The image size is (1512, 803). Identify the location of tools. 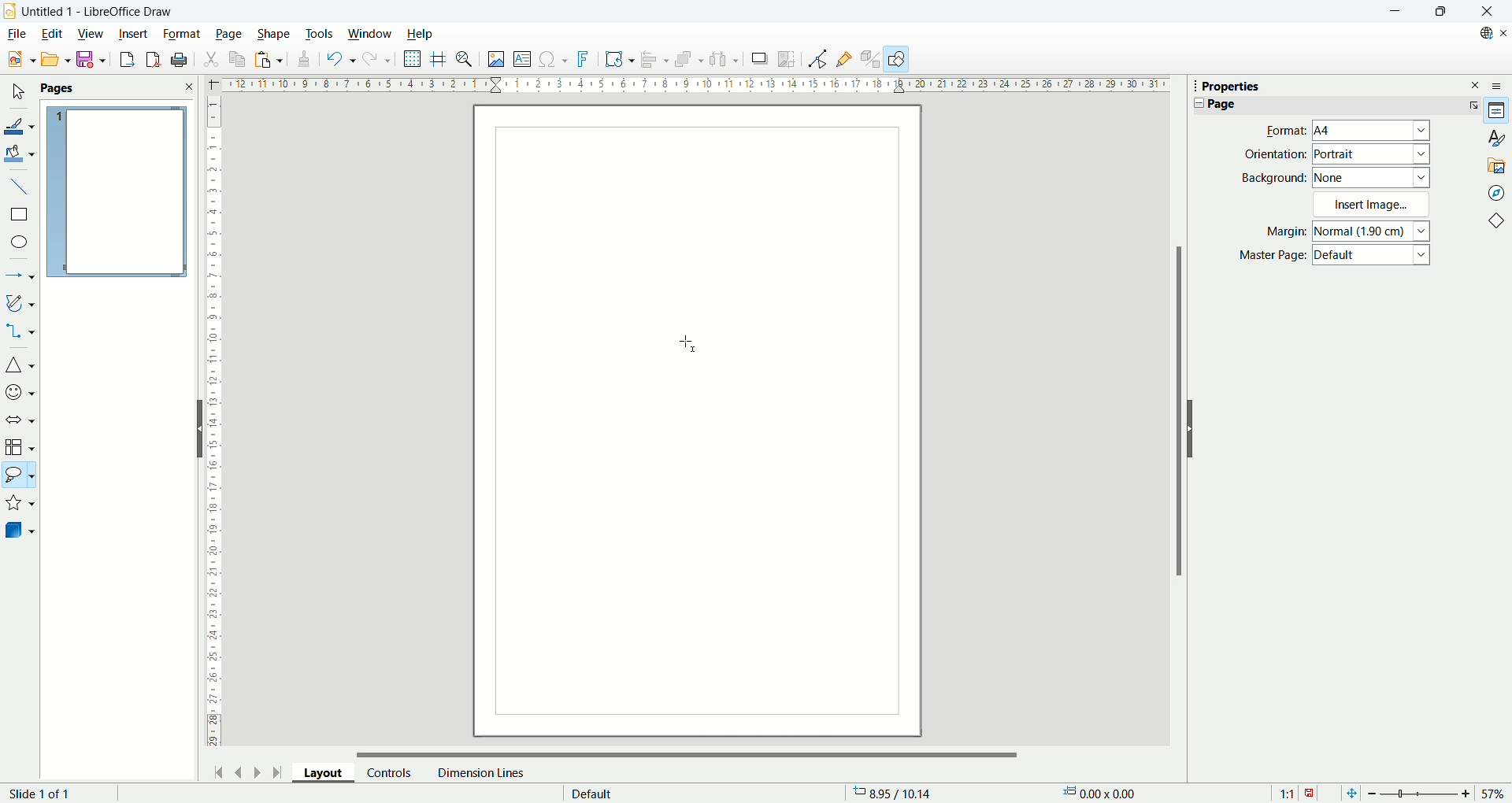
(321, 32).